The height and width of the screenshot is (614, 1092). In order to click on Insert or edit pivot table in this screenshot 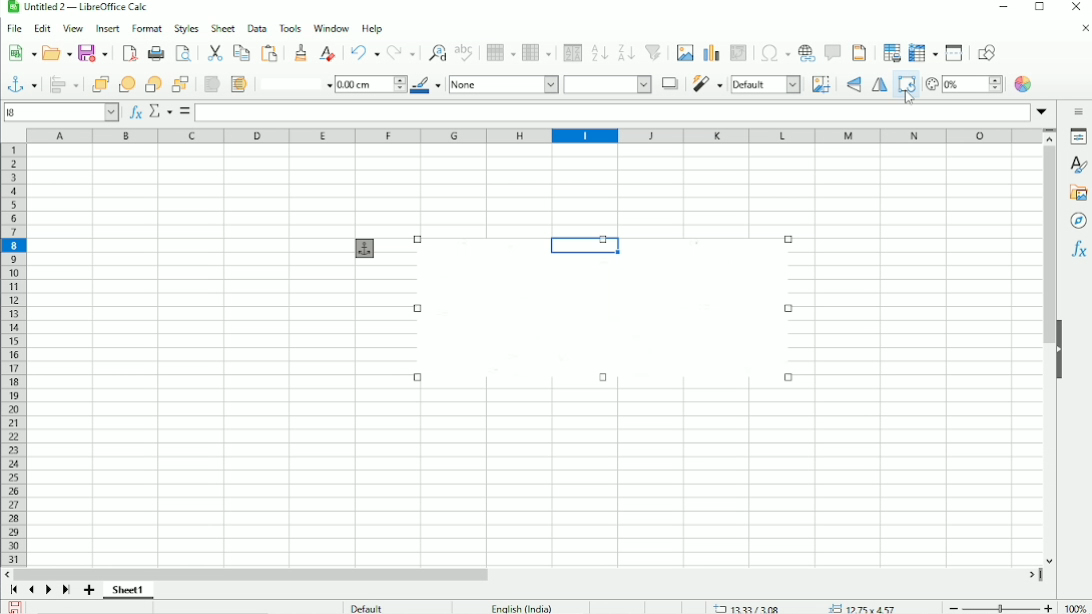, I will do `click(739, 53)`.